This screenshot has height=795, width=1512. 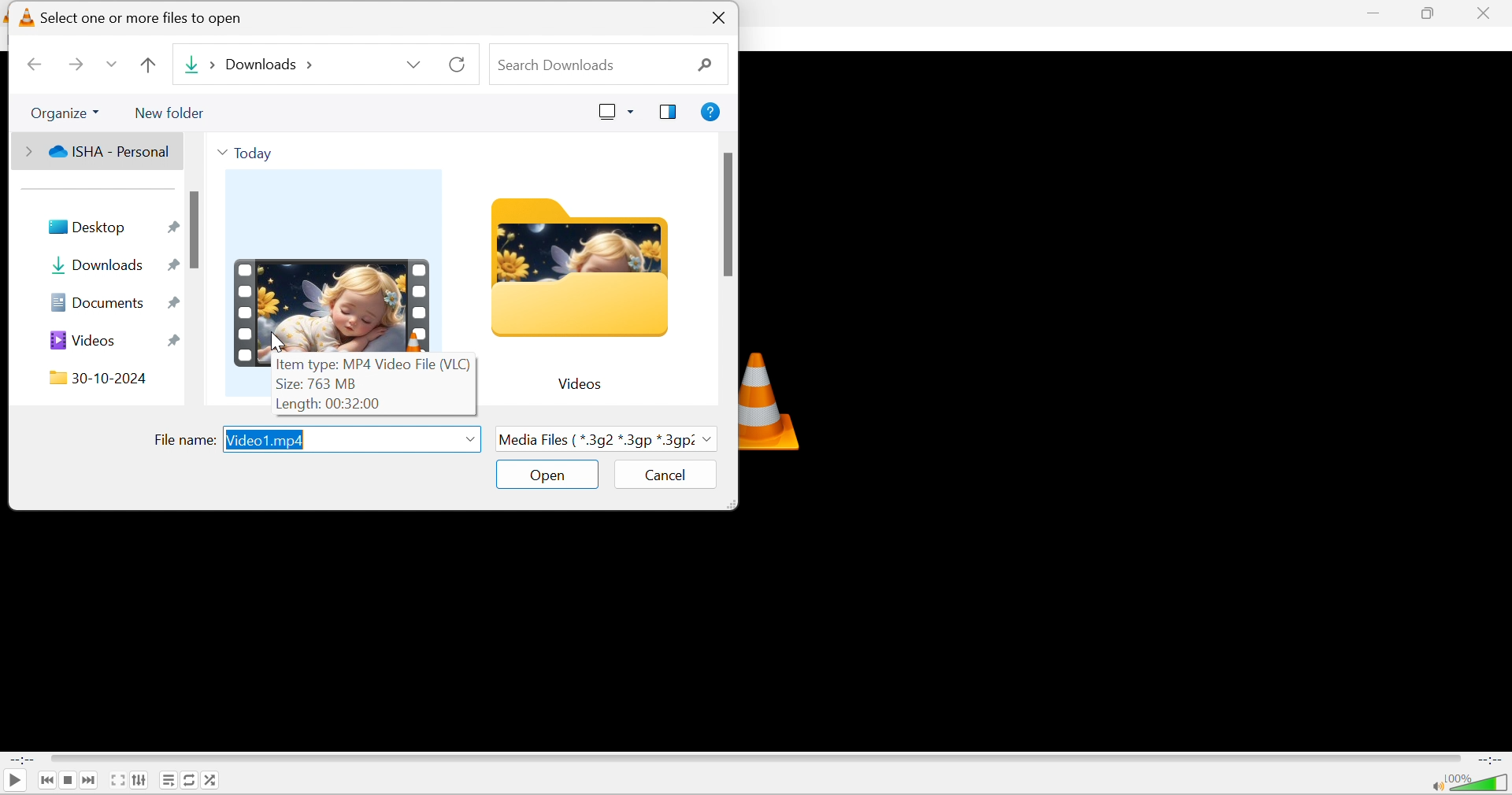 I want to click on Video1.mp4, so click(x=354, y=439).